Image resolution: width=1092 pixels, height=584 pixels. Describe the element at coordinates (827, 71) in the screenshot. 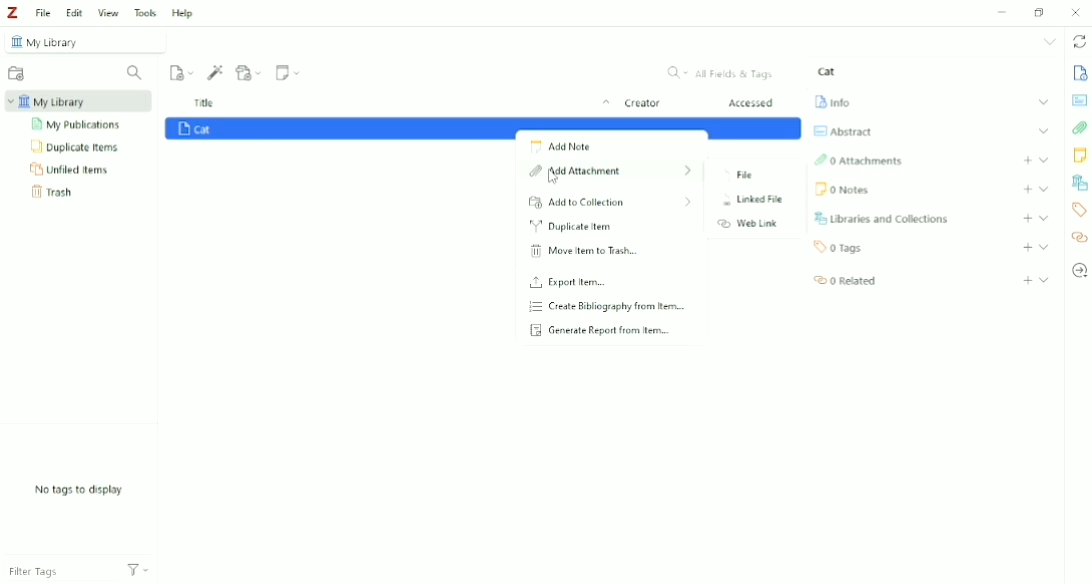

I see `Cat` at that location.